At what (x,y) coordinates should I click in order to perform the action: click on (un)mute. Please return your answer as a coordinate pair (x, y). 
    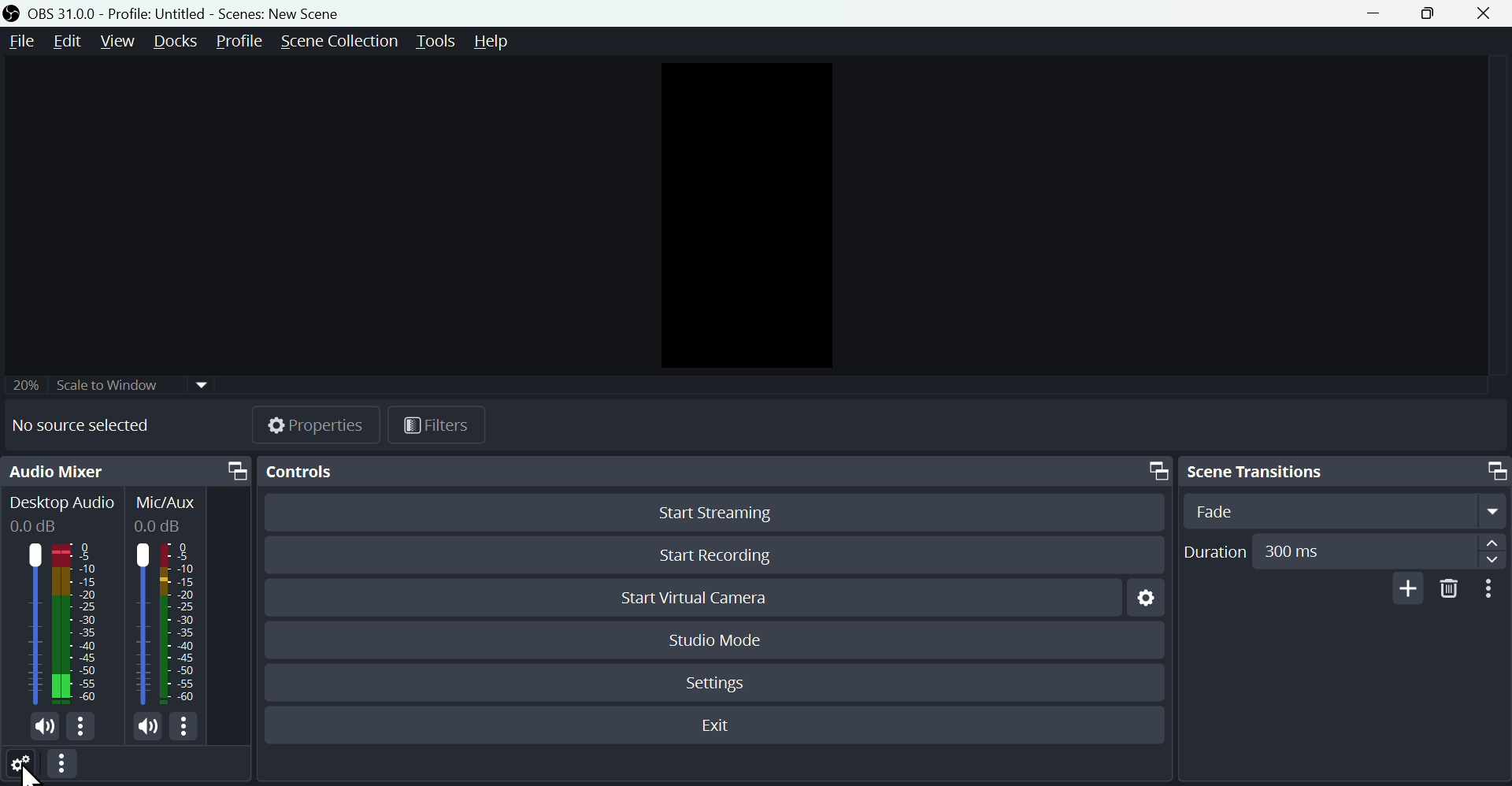
    Looking at the image, I should click on (148, 728).